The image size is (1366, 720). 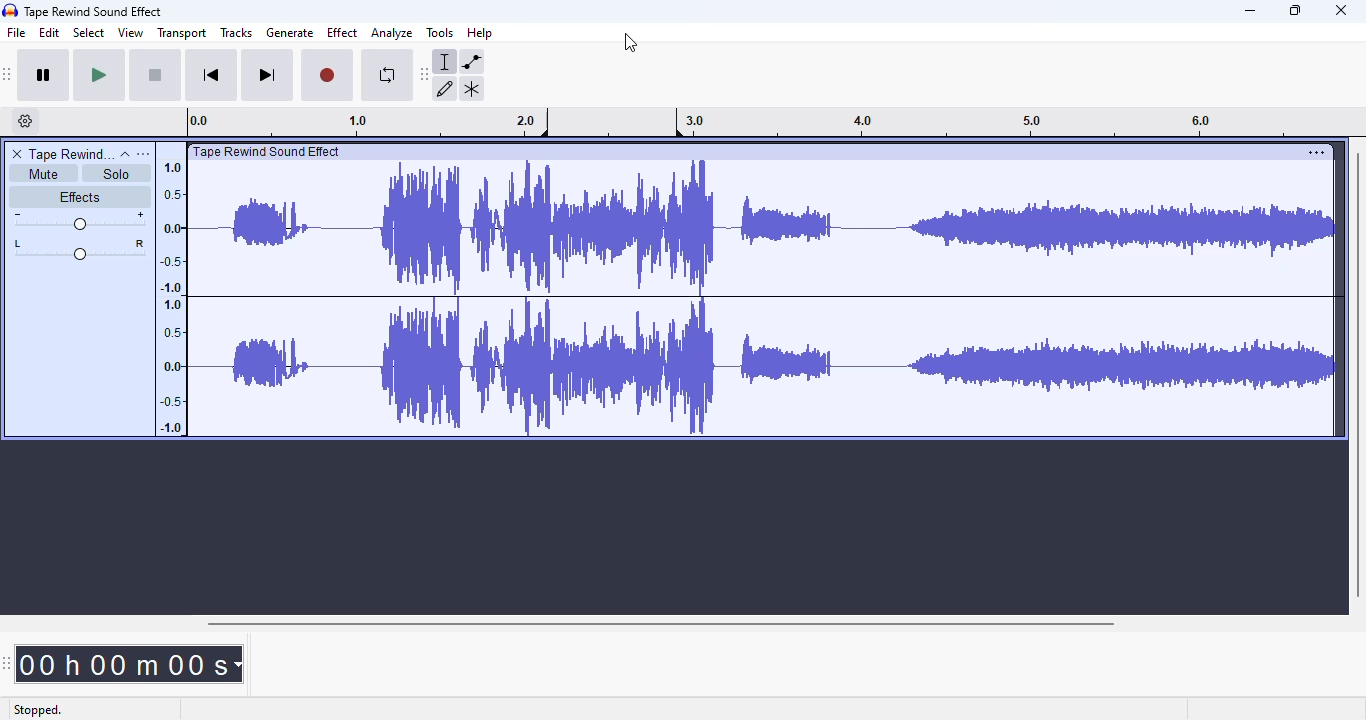 What do you see at coordinates (764, 298) in the screenshot?
I see `audio track` at bounding box center [764, 298].